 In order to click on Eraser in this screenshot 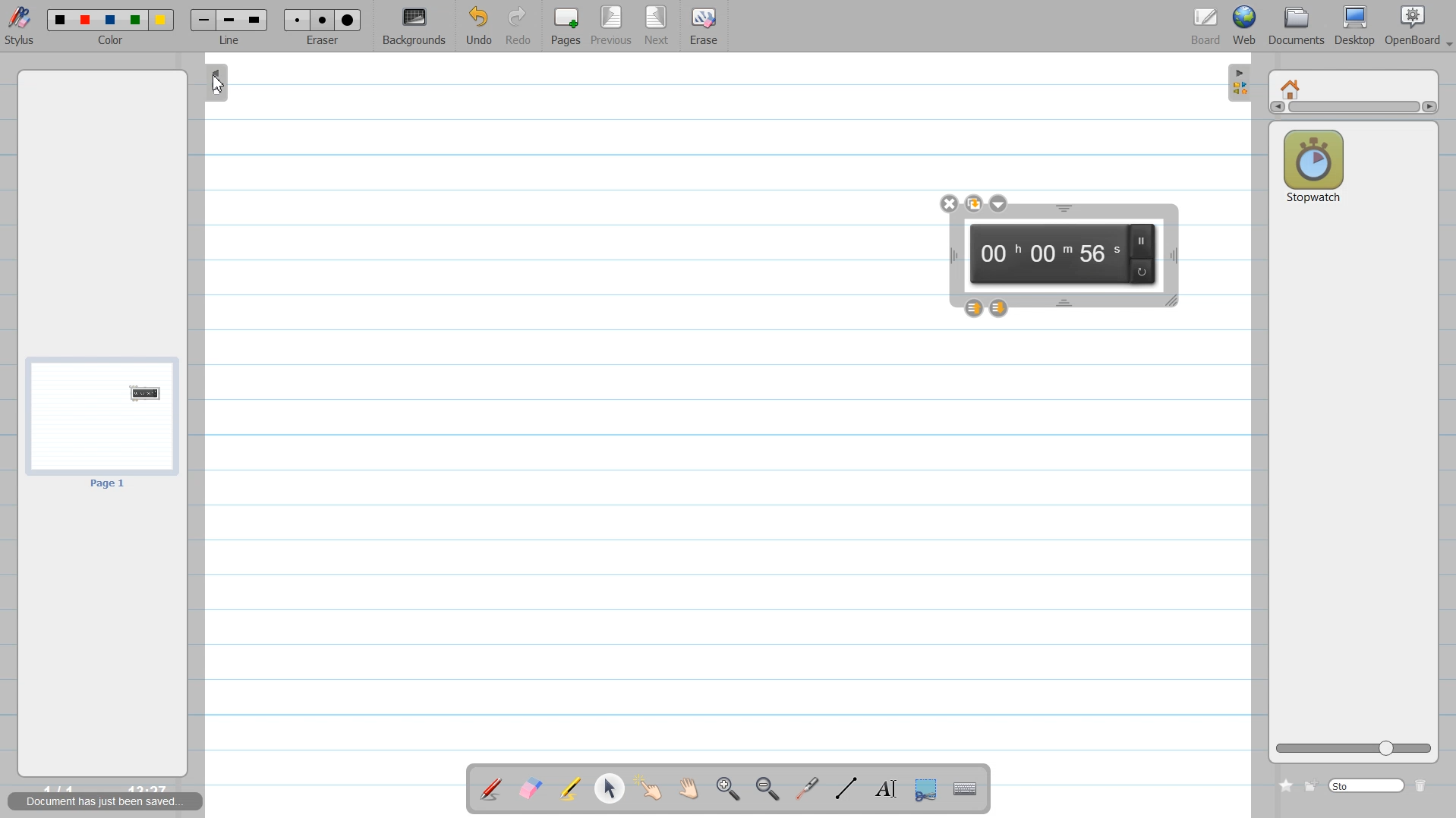, I will do `click(323, 27)`.